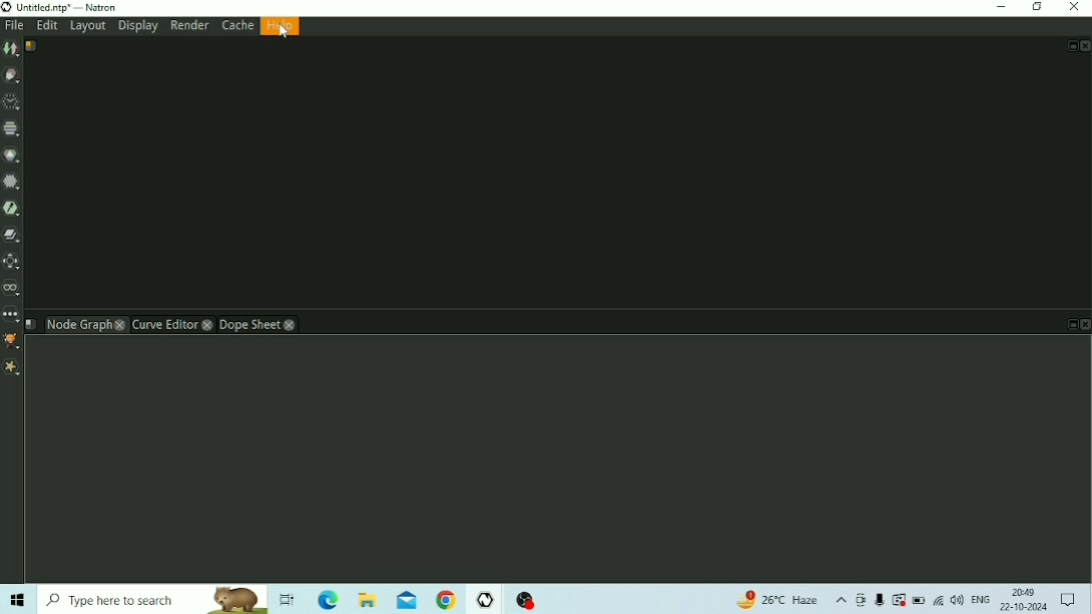 This screenshot has height=614, width=1092. Describe the element at coordinates (235, 26) in the screenshot. I see `Cache` at that location.